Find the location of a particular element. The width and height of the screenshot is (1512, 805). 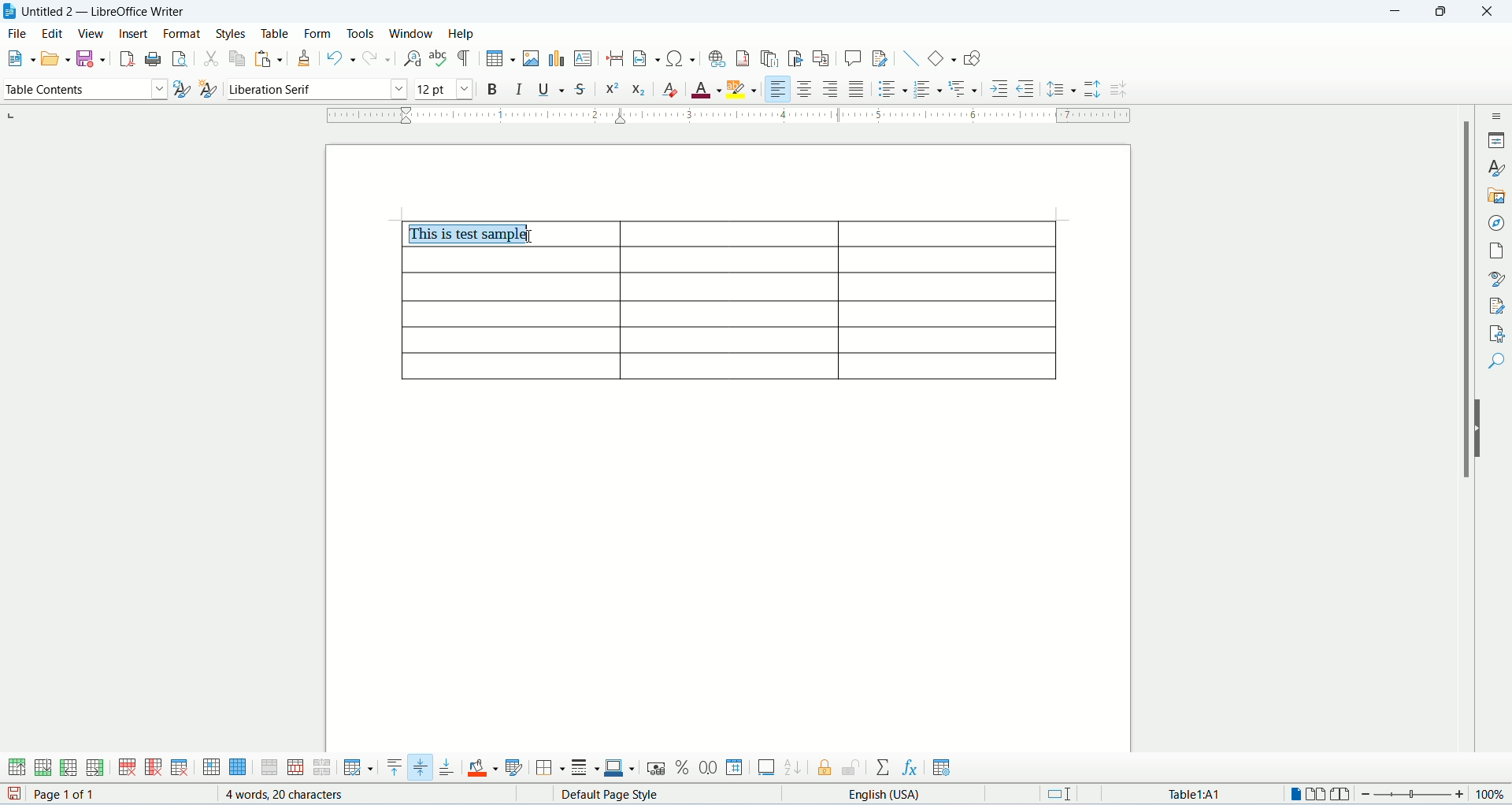

table is located at coordinates (727, 317).